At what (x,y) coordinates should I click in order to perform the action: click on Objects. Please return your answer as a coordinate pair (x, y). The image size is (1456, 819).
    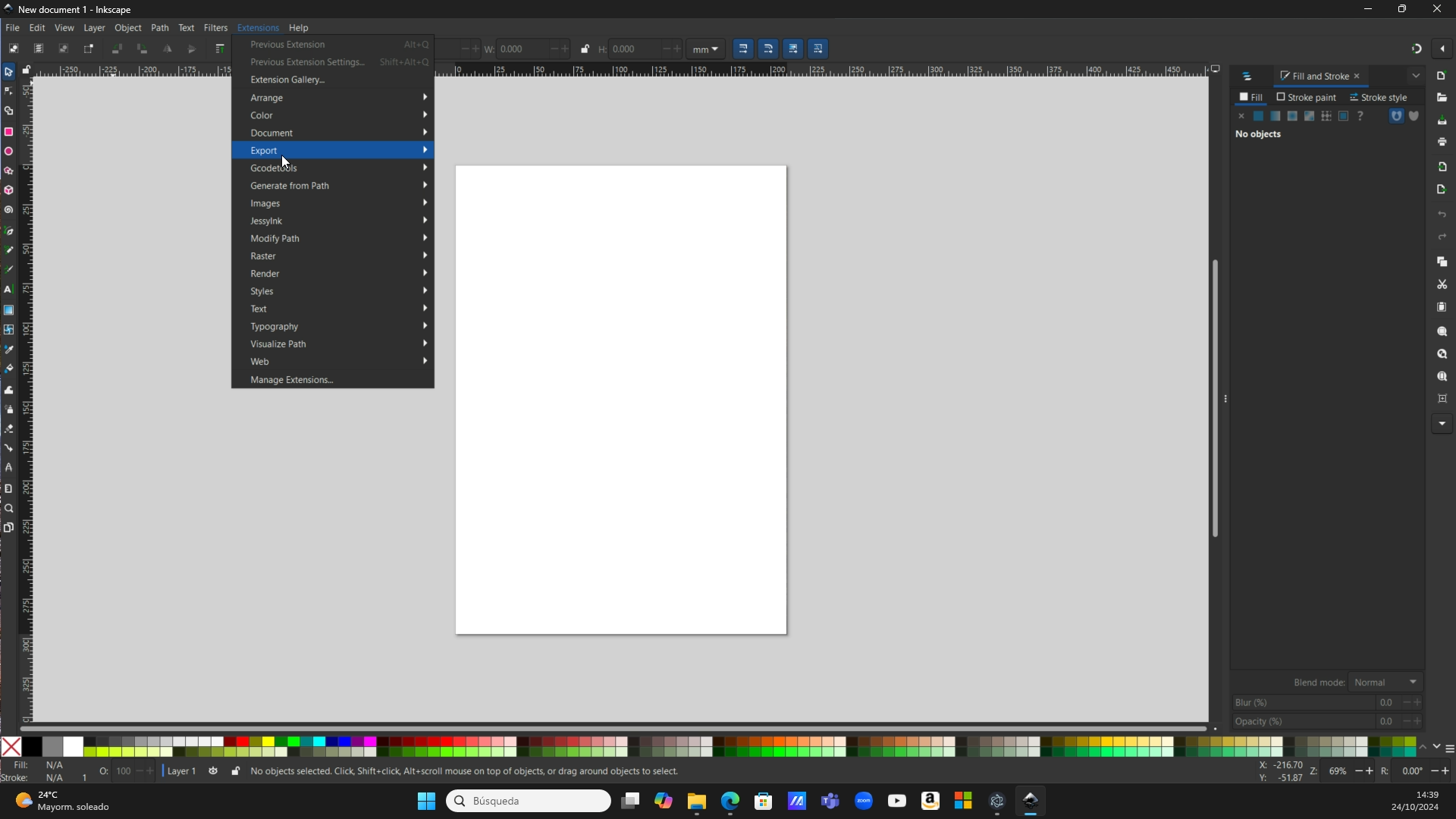
    Looking at the image, I should click on (1302, 130).